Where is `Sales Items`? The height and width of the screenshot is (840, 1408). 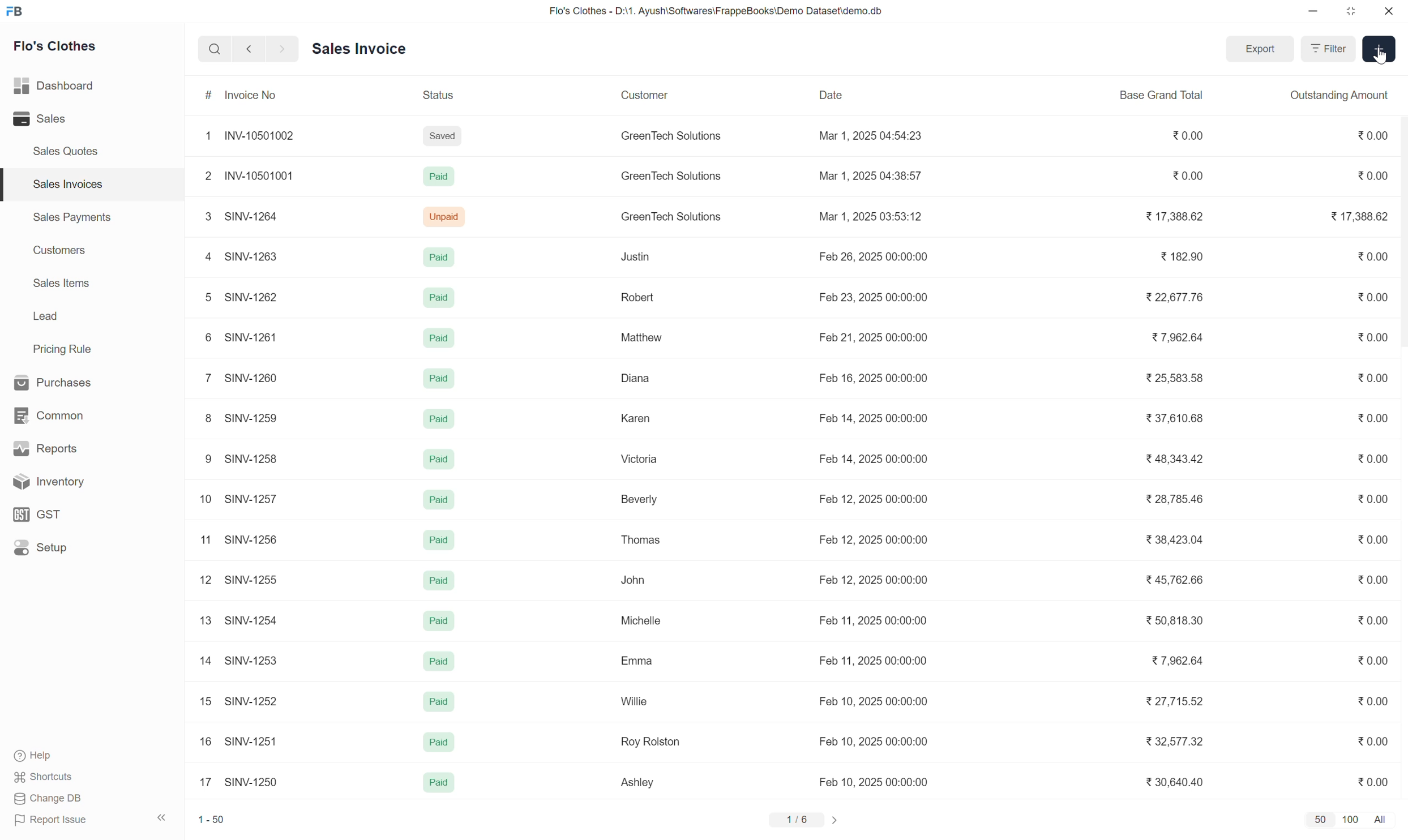 Sales Items is located at coordinates (62, 284).